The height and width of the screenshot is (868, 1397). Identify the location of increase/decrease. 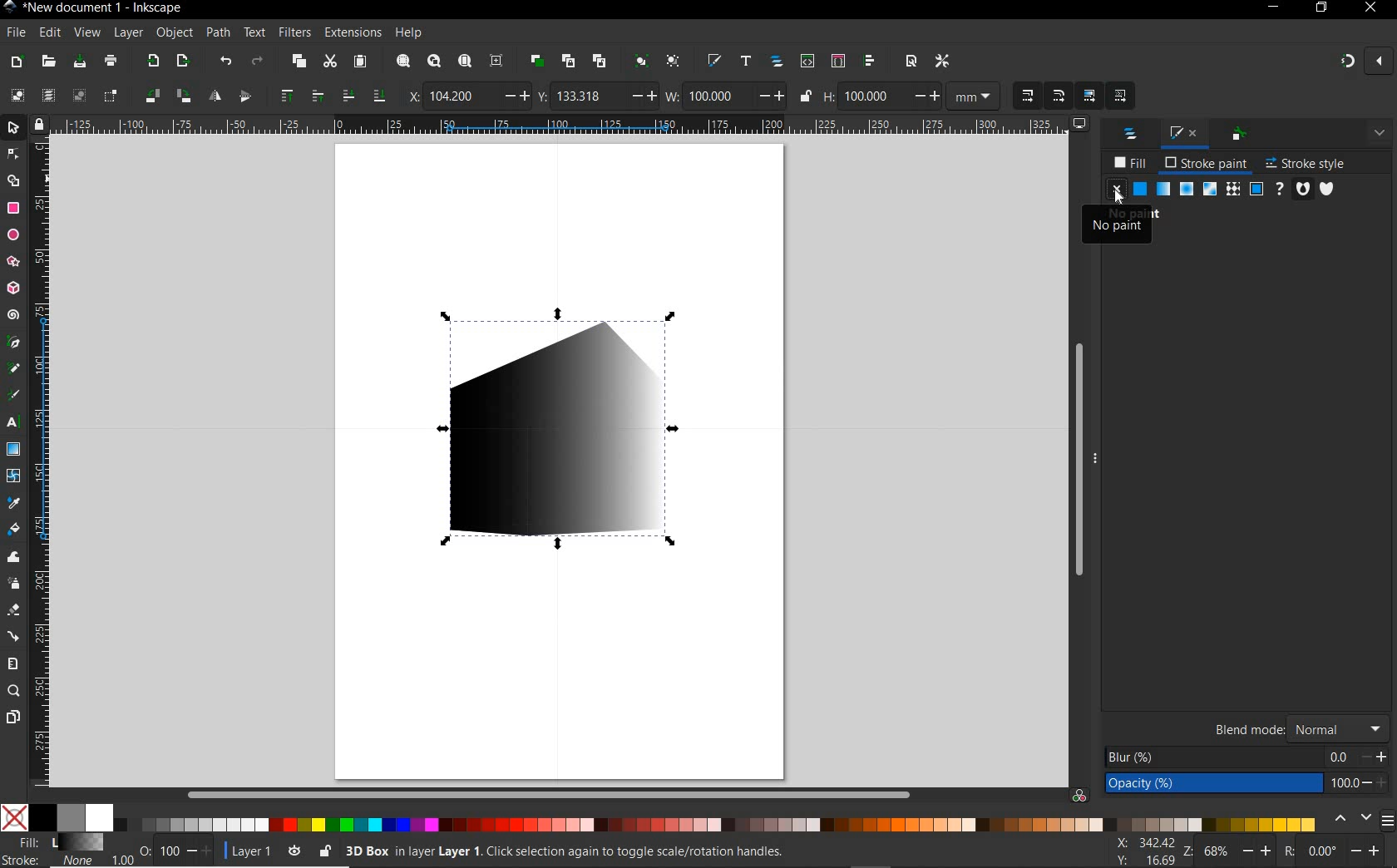
(642, 96).